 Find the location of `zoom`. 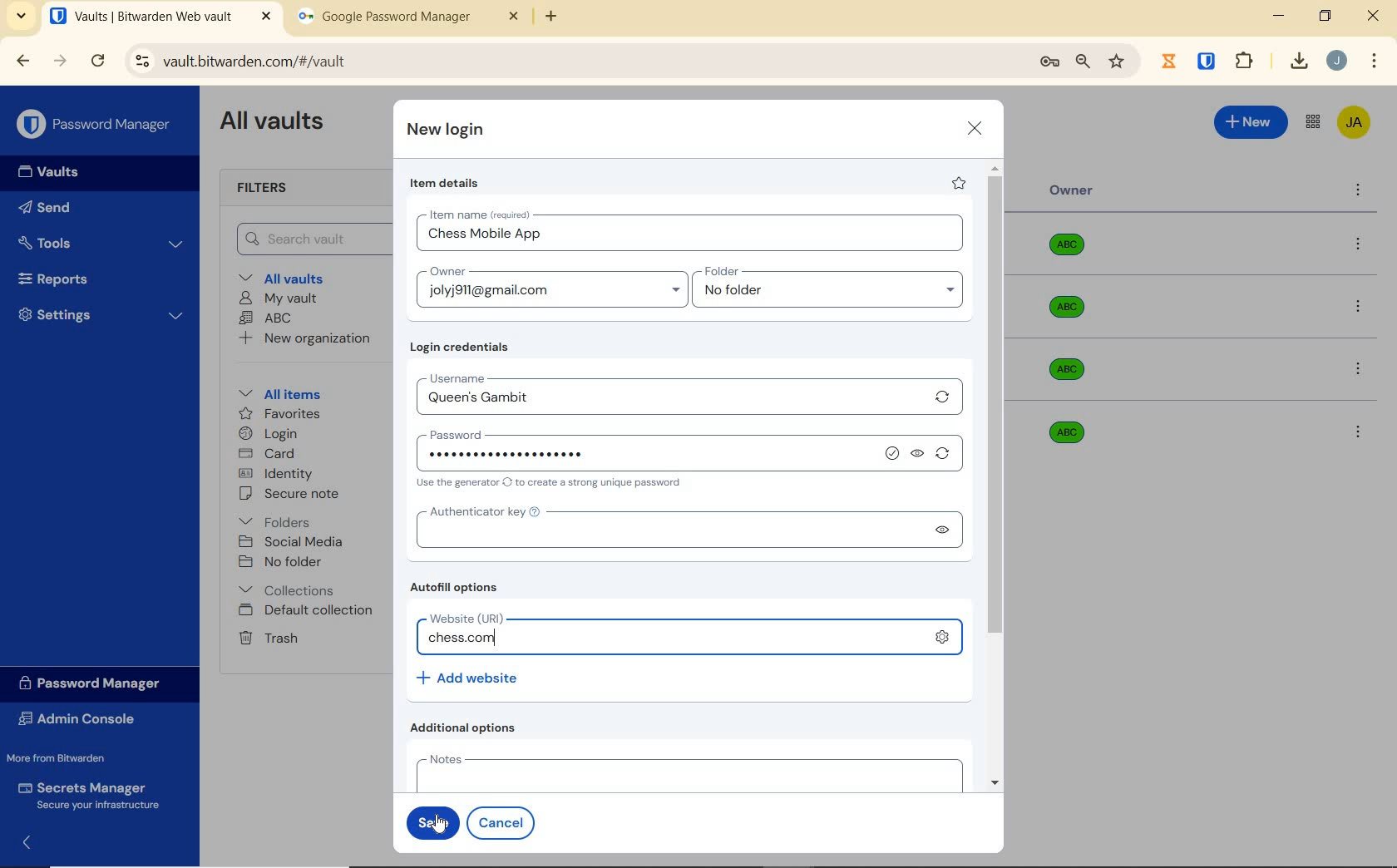

zoom is located at coordinates (1082, 62).